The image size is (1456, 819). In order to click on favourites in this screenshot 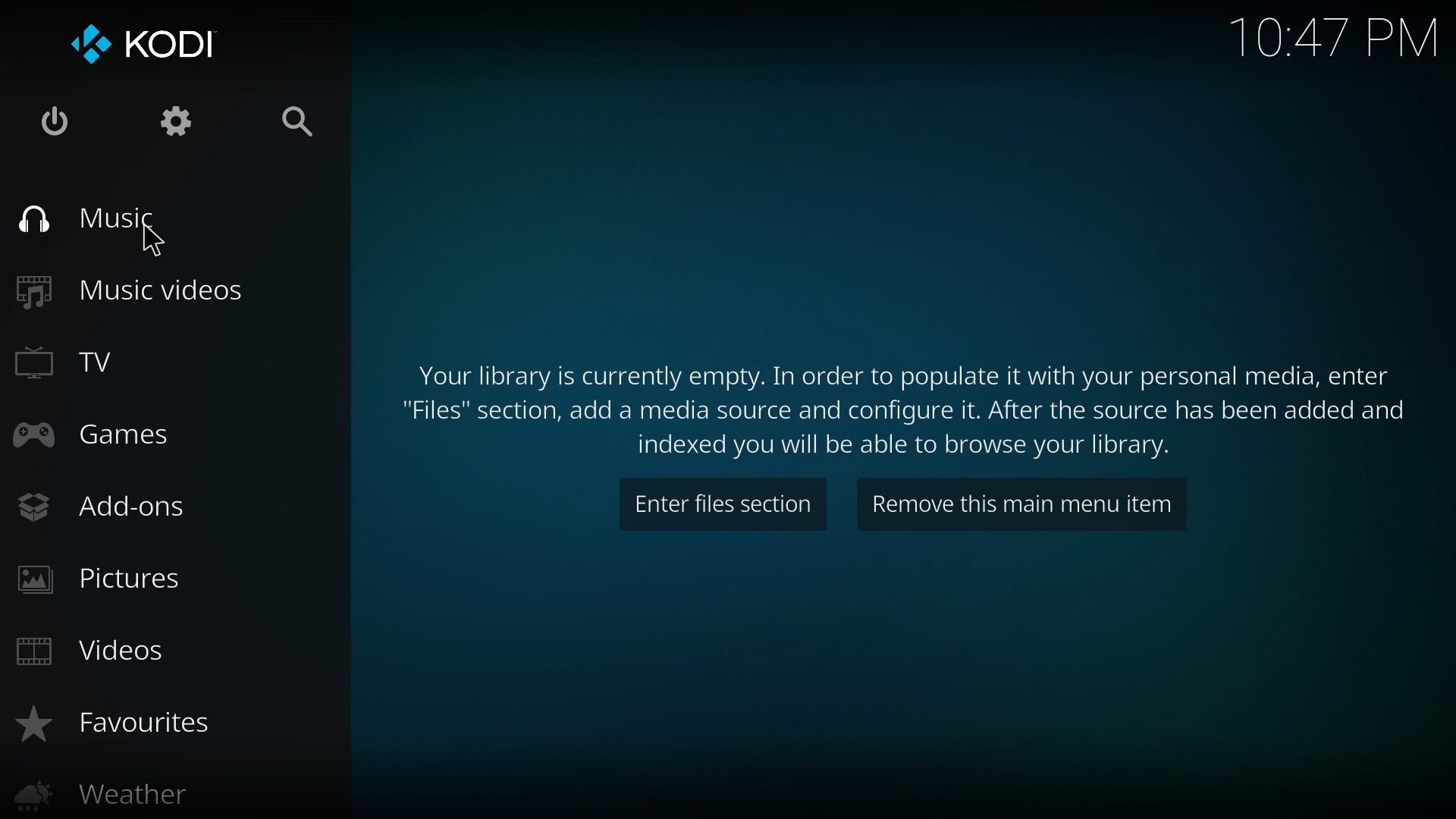, I will do `click(153, 726)`.